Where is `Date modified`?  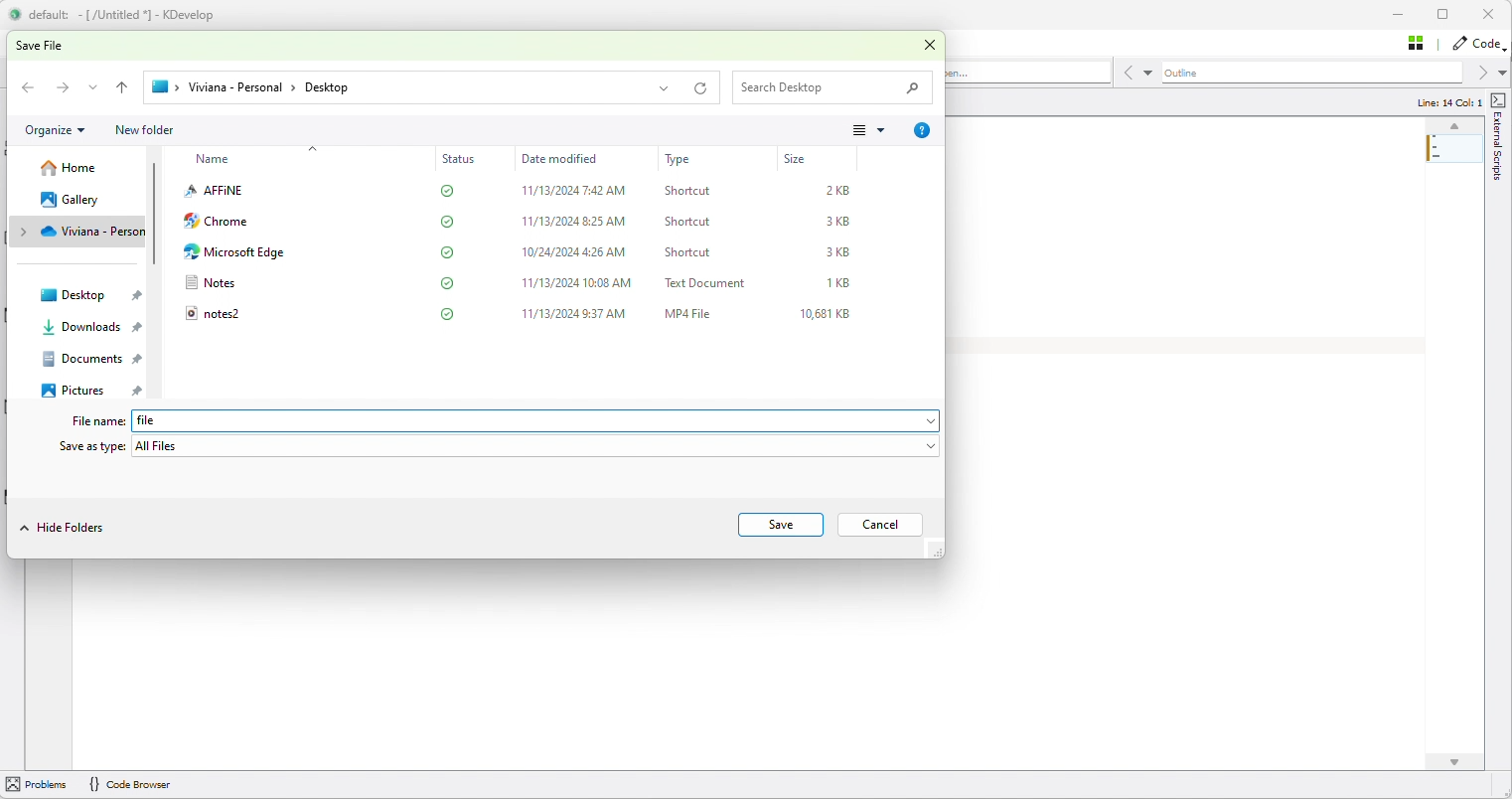
Date modified is located at coordinates (568, 159).